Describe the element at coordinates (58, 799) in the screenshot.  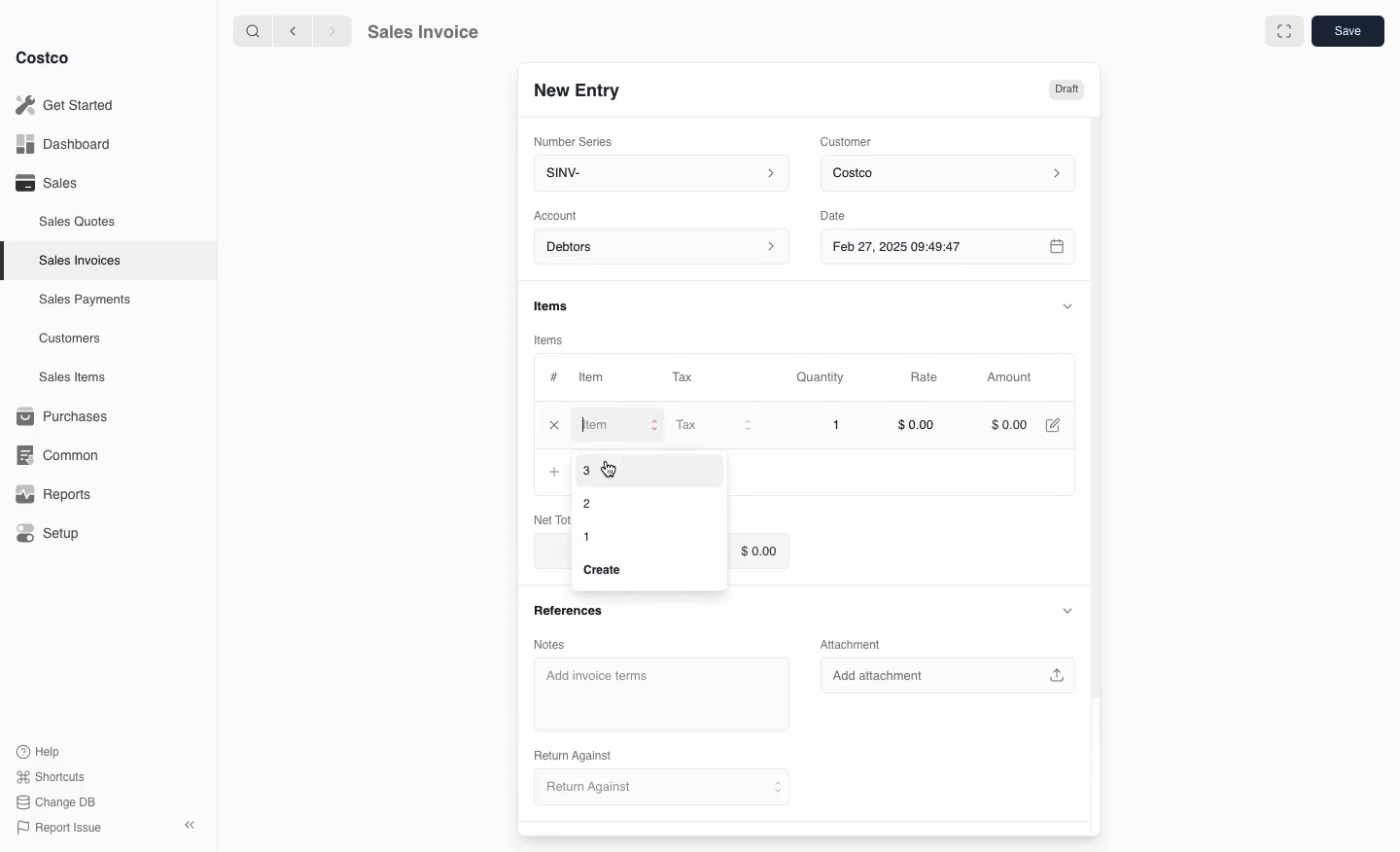
I see `Change DB` at that location.